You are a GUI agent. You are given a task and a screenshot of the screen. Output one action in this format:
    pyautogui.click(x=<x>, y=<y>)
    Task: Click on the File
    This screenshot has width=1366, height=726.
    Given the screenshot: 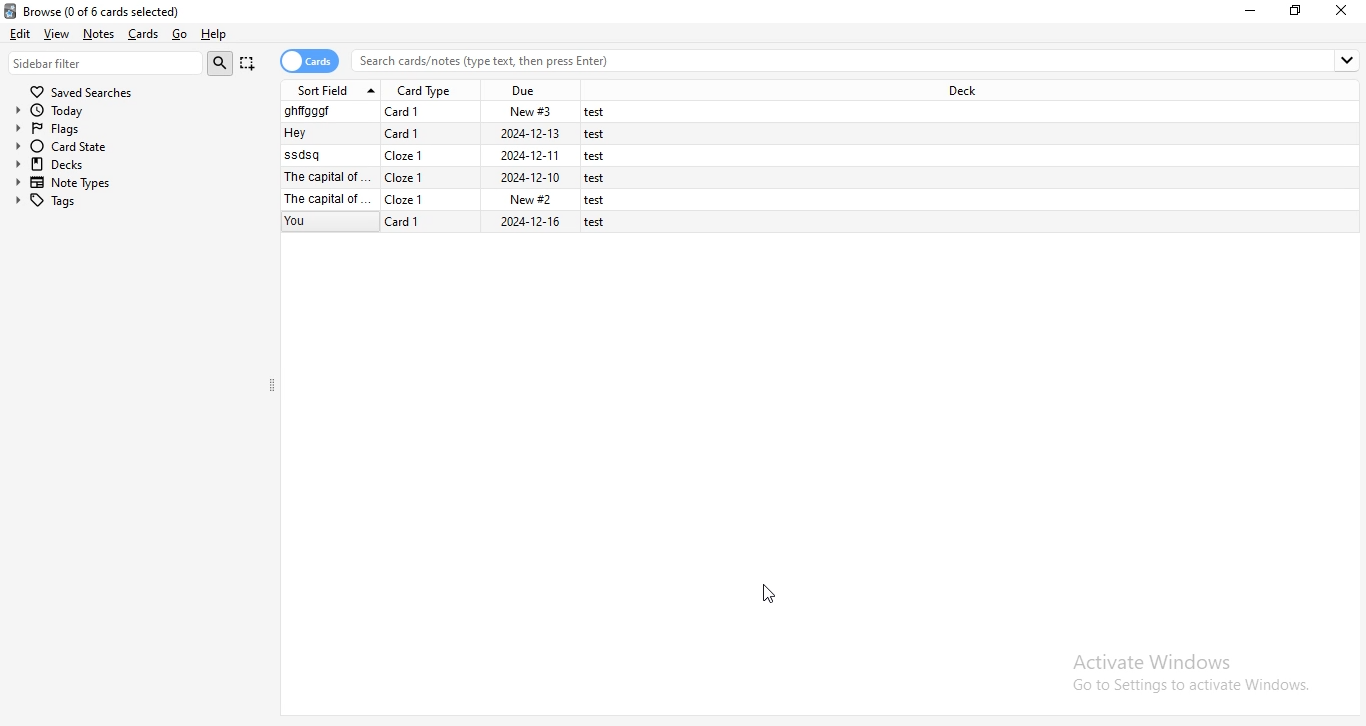 What is the action you would take?
    pyautogui.click(x=456, y=176)
    